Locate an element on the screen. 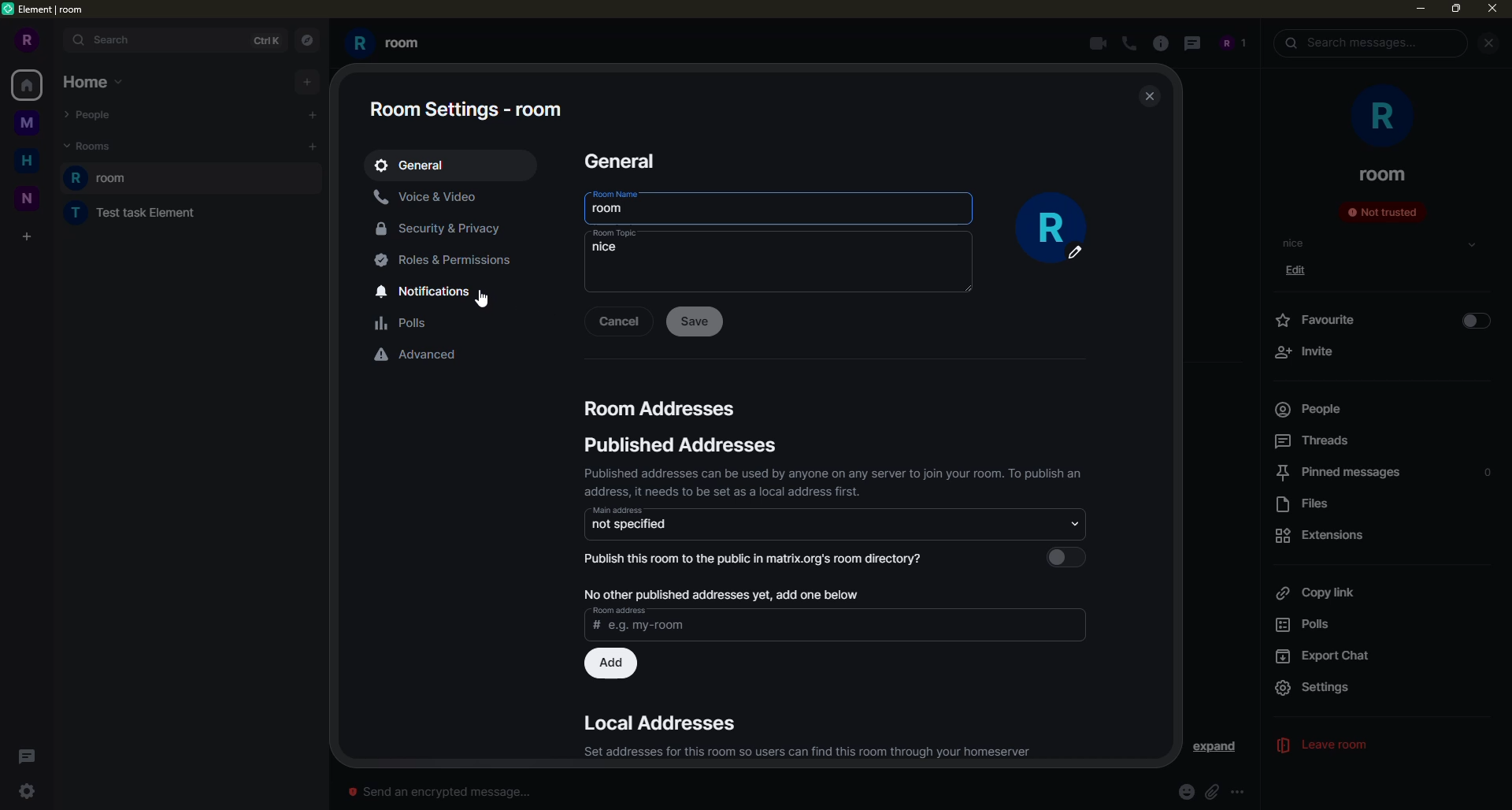 The height and width of the screenshot is (810, 1512). R is located at coordinates (27, 39).